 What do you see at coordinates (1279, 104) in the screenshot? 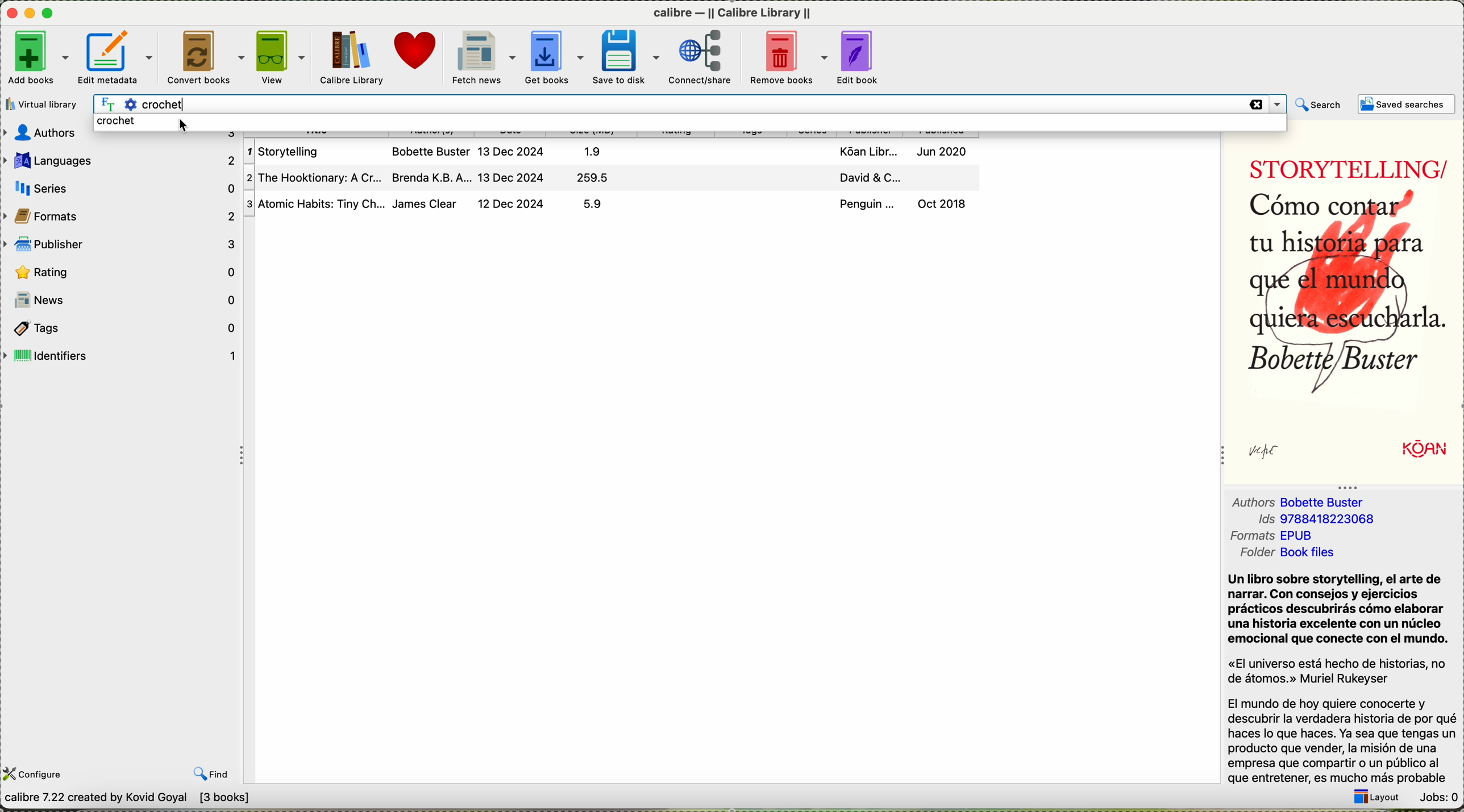
I see `Drop down` at bounding box center [1279, 104].